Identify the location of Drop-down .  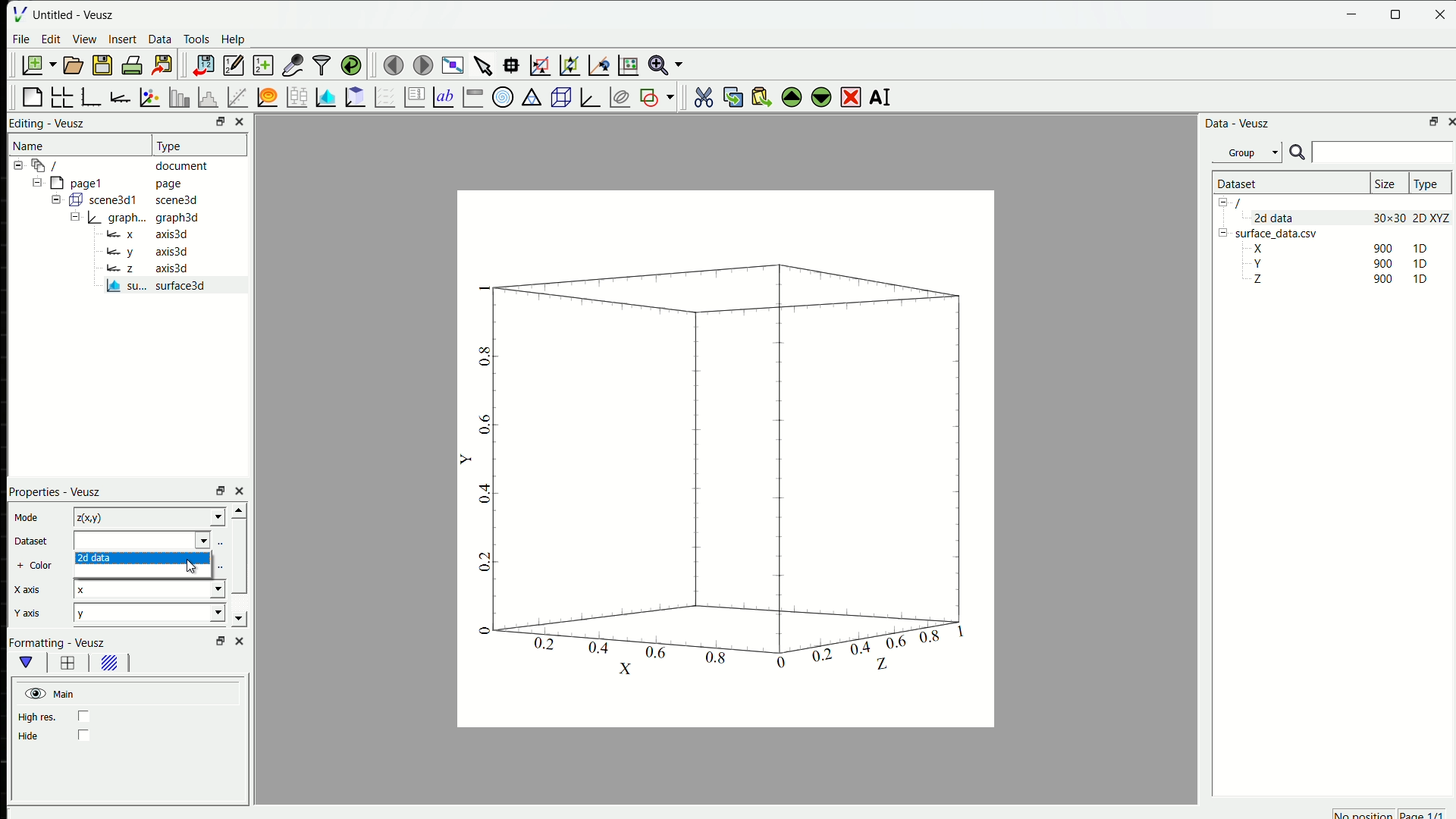
(220, 516).